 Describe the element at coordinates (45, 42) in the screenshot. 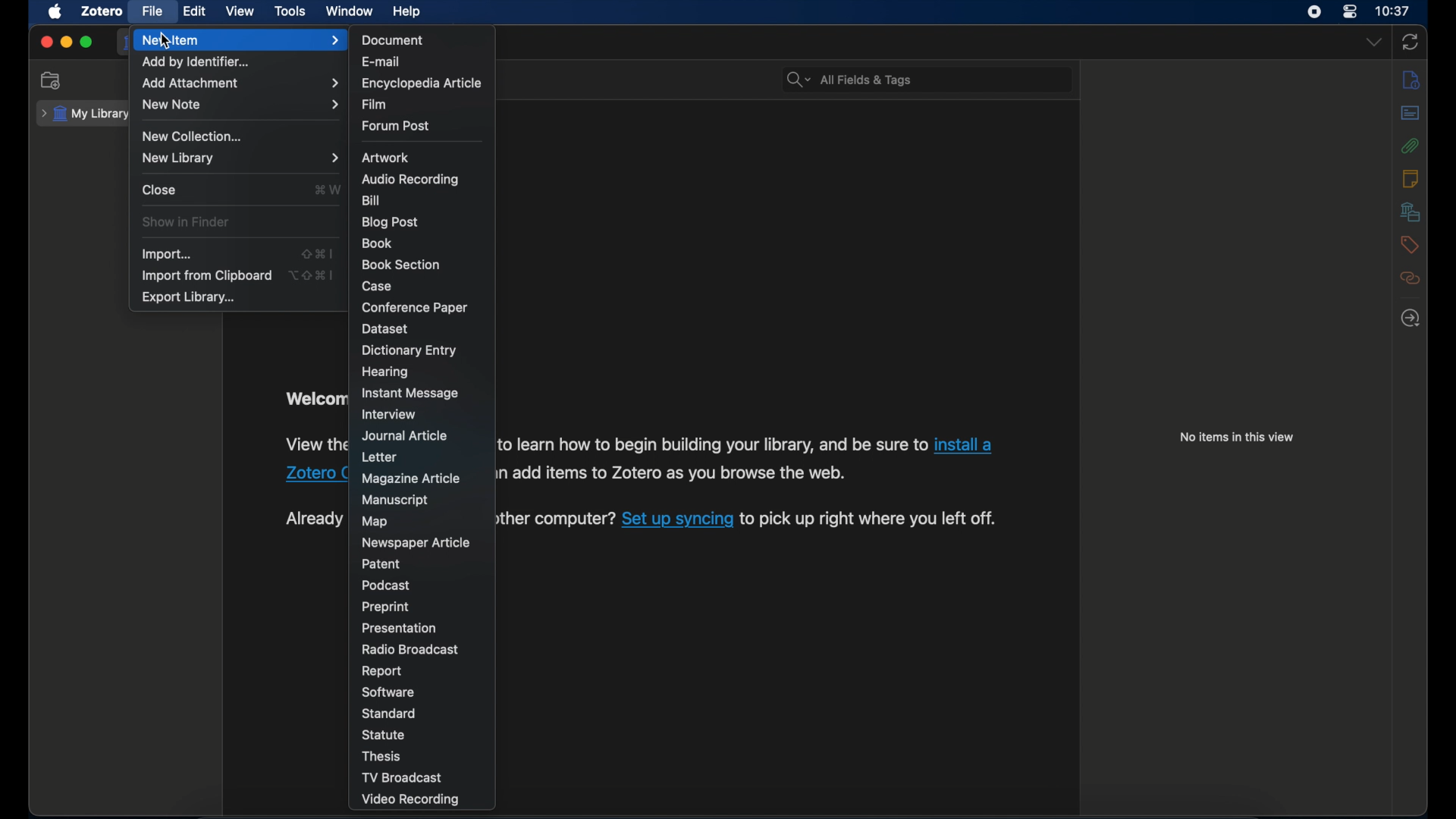

I see `close` at that location.